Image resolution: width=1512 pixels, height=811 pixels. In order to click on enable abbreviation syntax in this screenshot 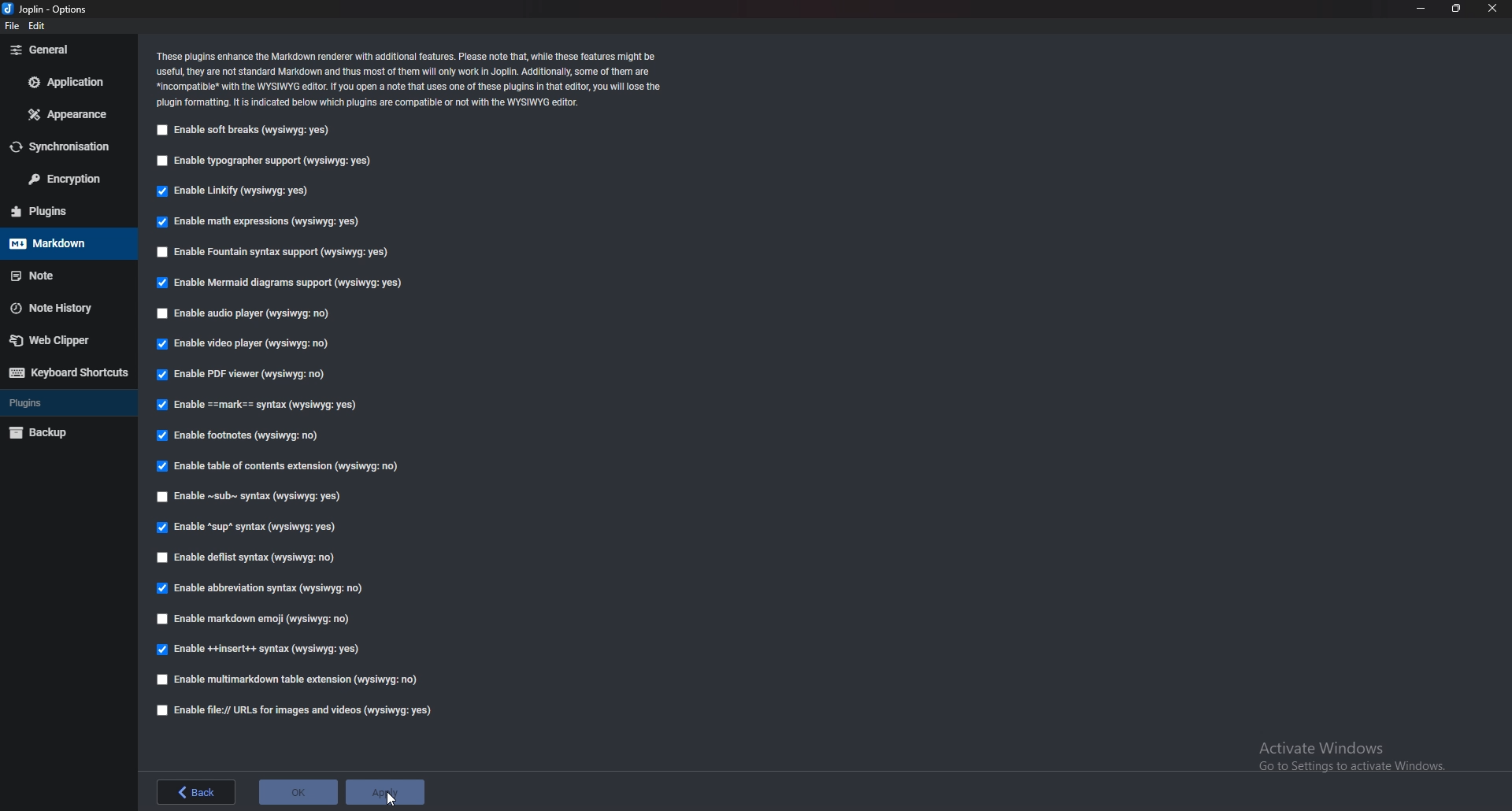, I will do `click(273, 589)`.